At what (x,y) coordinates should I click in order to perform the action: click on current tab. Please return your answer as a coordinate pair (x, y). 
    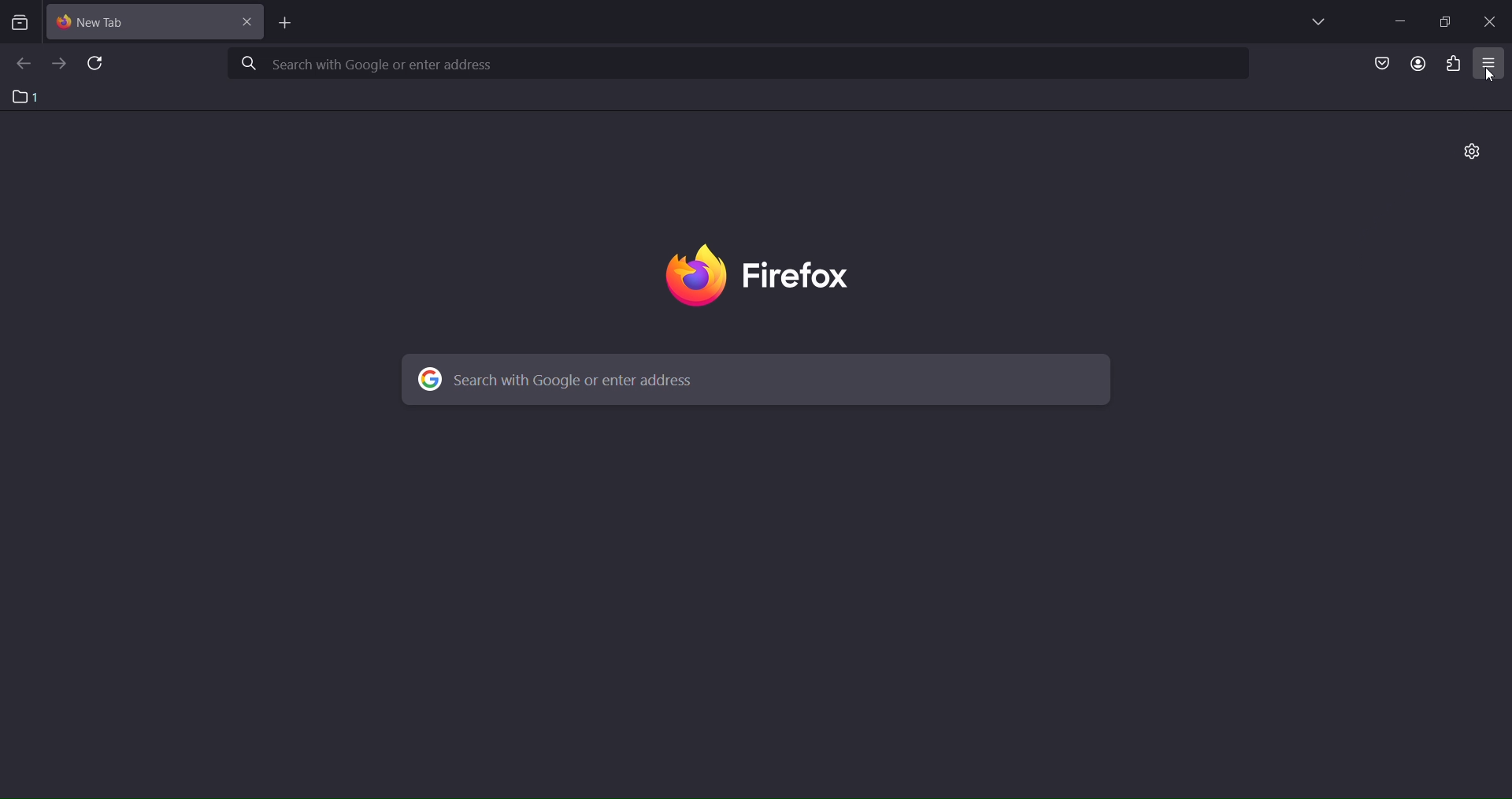
    Looking at the image, I should click on (132, 20).